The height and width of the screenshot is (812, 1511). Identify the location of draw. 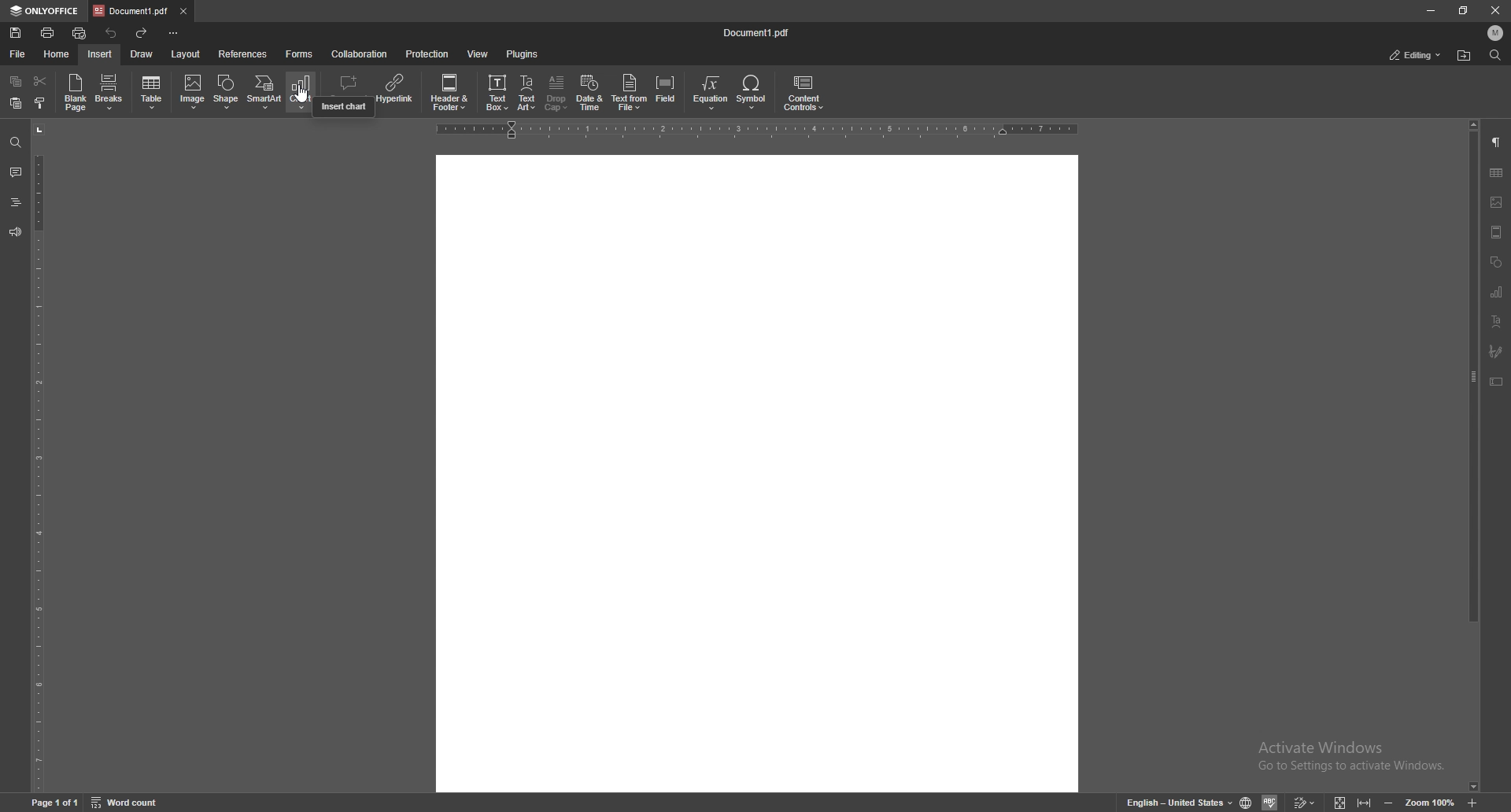
(143, 54).